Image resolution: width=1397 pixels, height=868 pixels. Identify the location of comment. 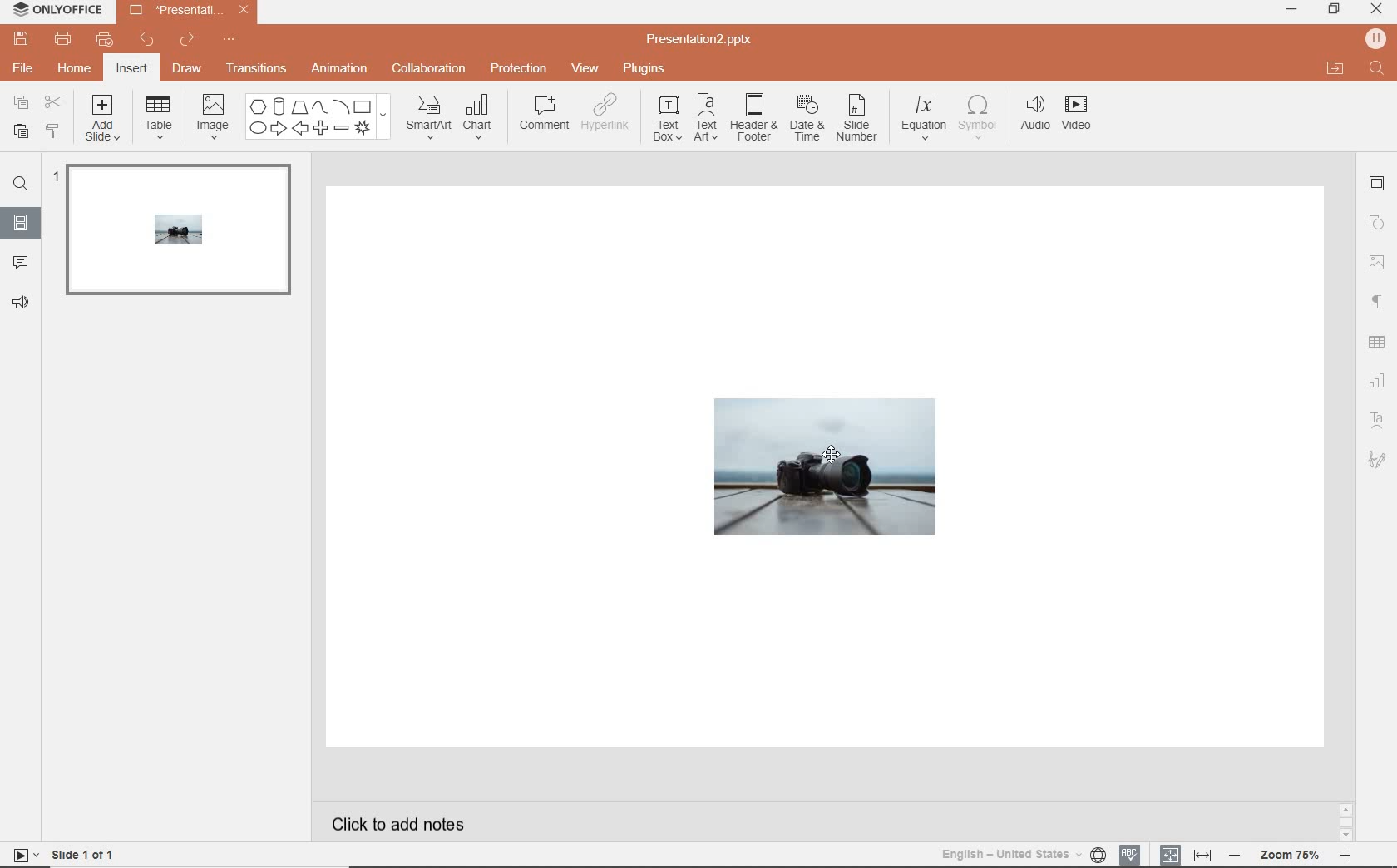
(545, 116).